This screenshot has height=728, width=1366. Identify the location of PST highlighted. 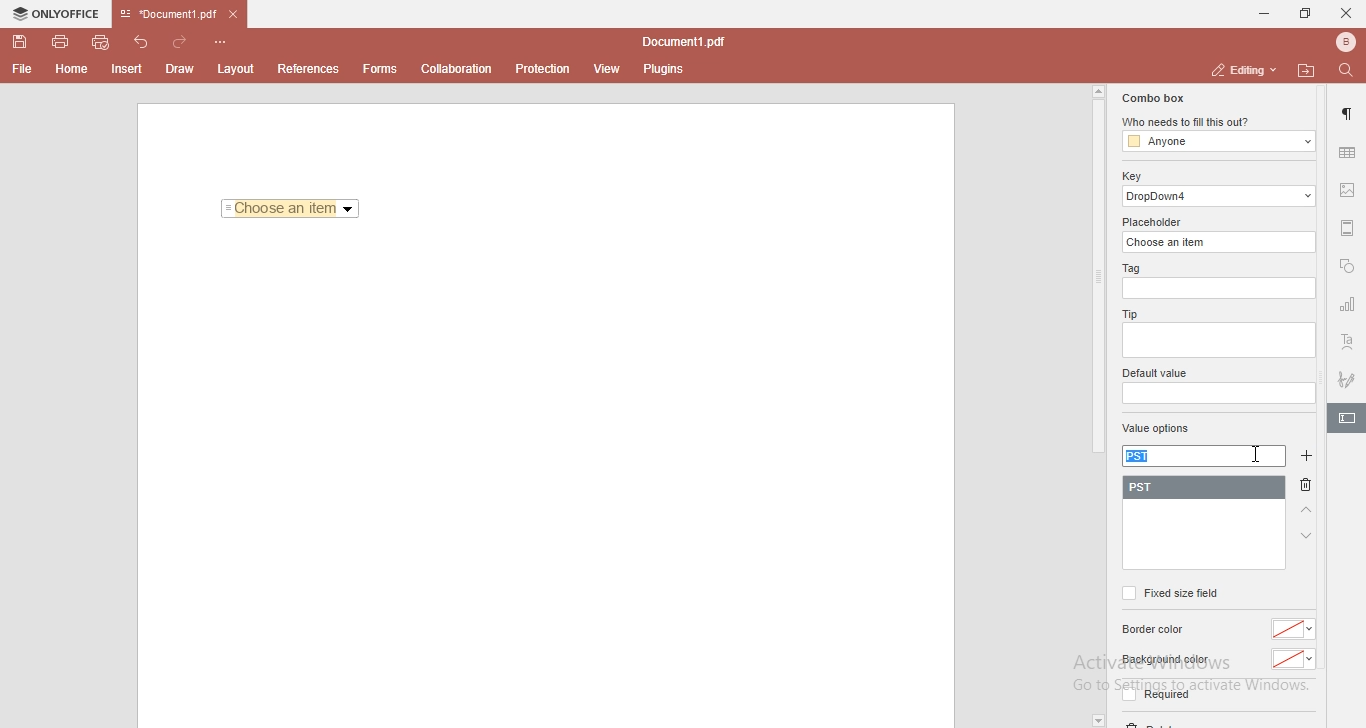
(1141, 457).